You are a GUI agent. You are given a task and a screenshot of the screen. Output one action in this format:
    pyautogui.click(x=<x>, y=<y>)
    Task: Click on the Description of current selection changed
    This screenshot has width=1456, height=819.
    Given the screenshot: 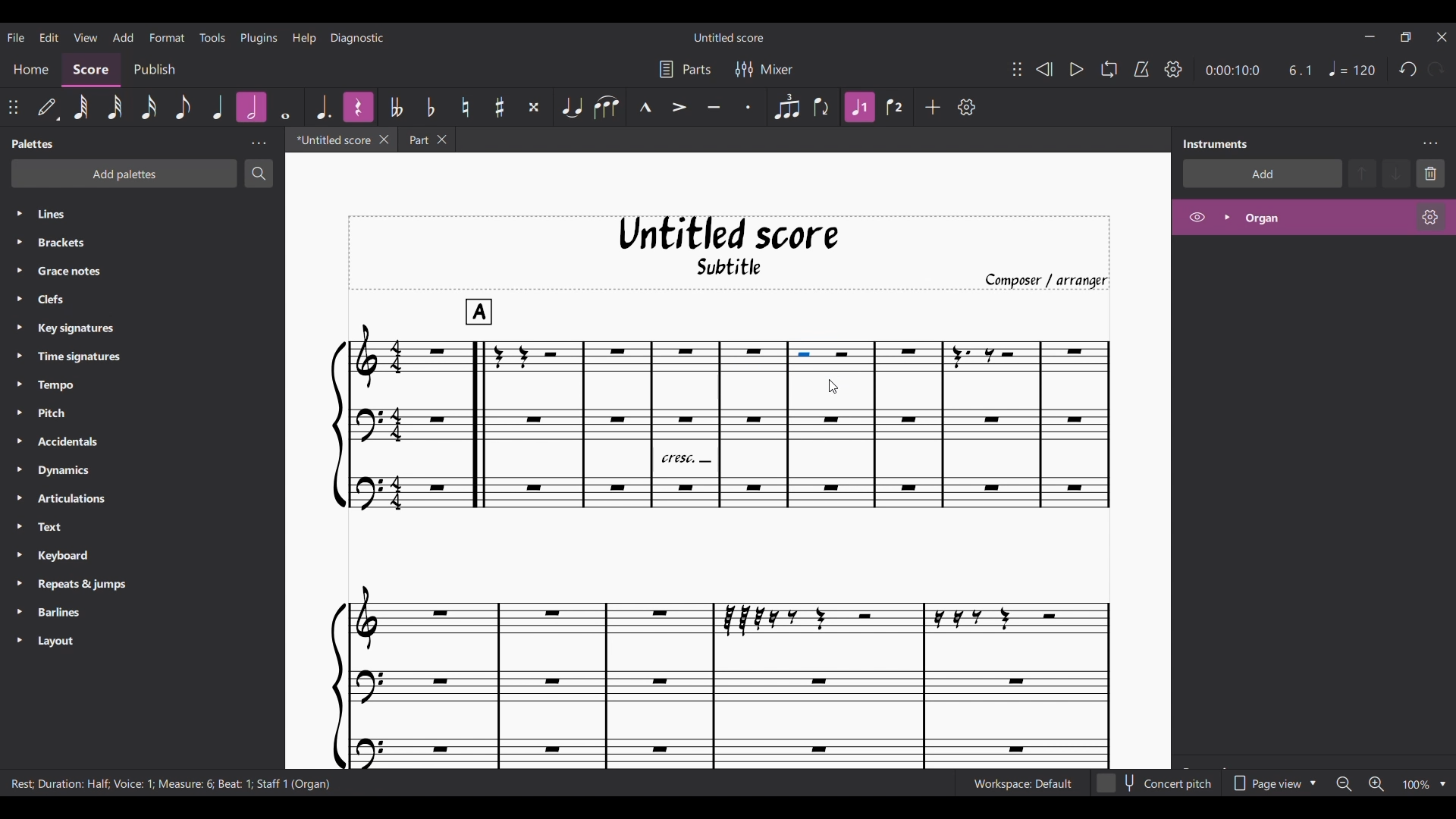 What is the action you would take?
    pyautogui.click(x=170, y=783)
    